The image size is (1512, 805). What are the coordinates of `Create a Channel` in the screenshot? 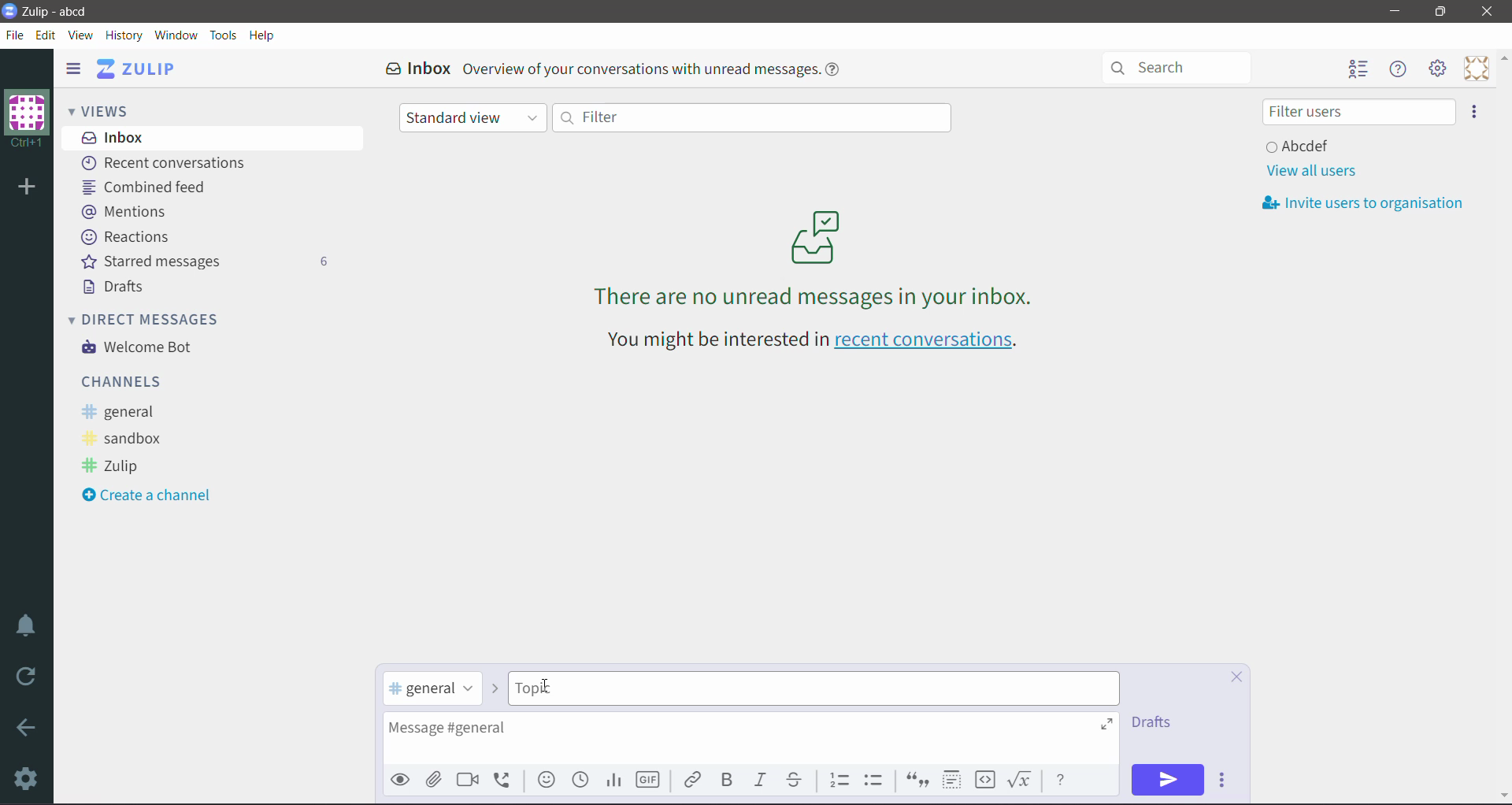 It's located at (153, 496).